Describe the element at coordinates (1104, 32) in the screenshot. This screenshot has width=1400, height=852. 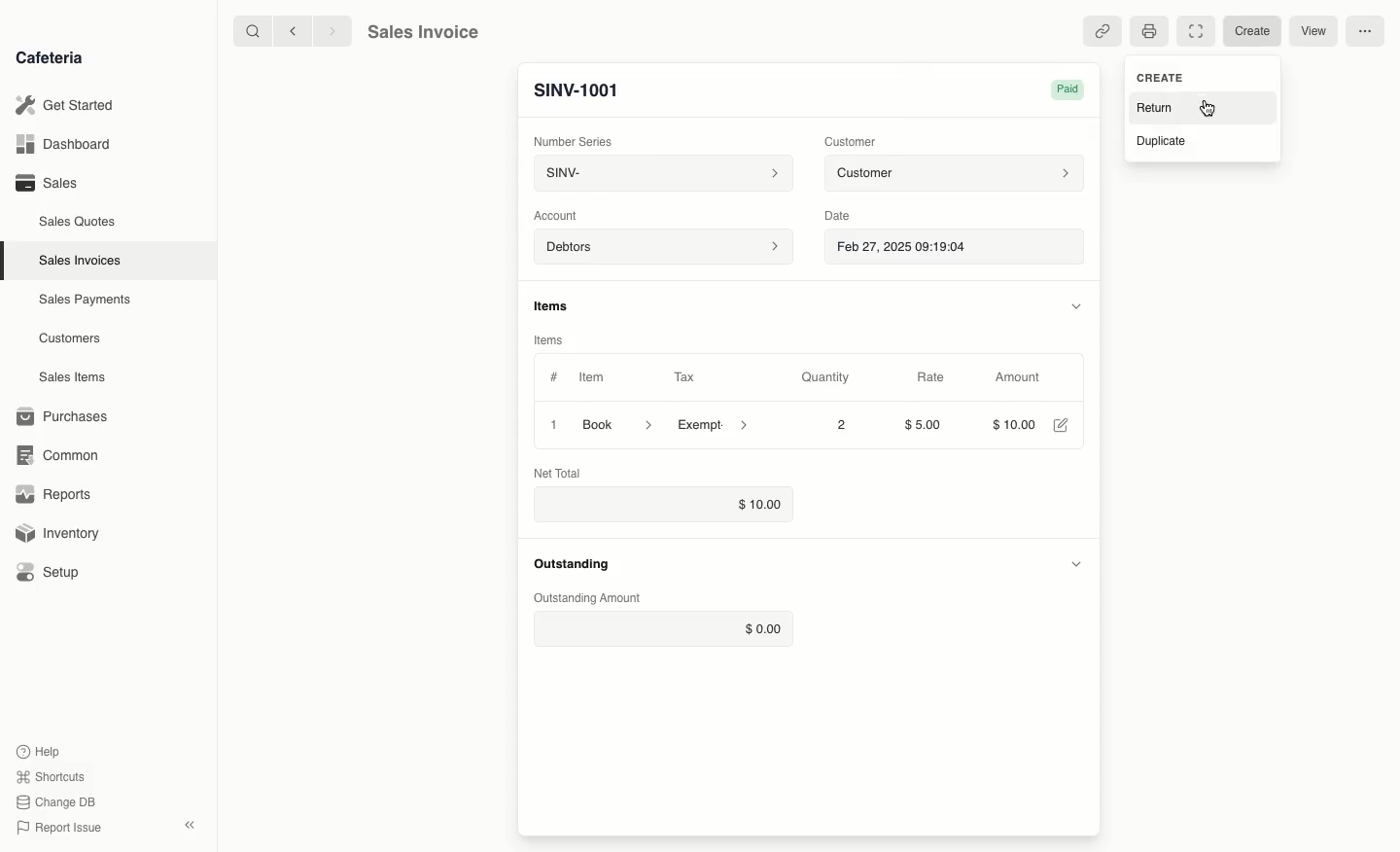
I see `linked entries` at that location.